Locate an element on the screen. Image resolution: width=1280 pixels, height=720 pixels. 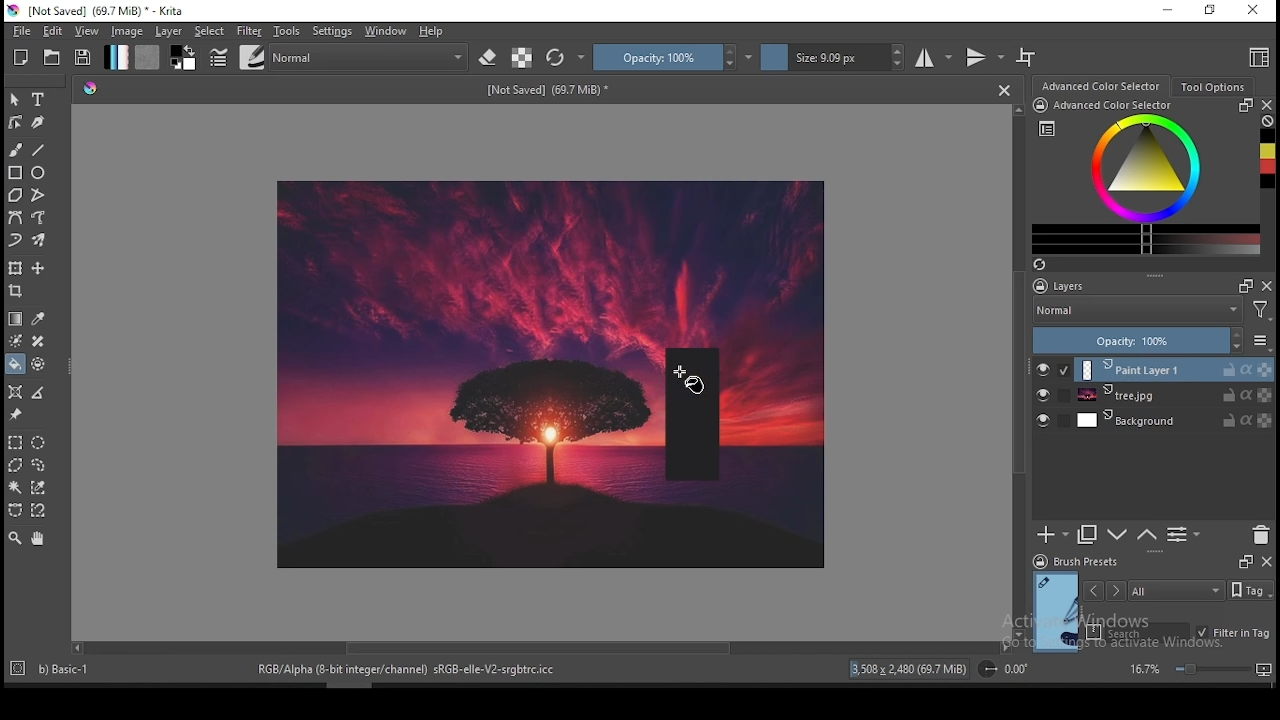
preserve alpha is located at coordinates (522, 58).